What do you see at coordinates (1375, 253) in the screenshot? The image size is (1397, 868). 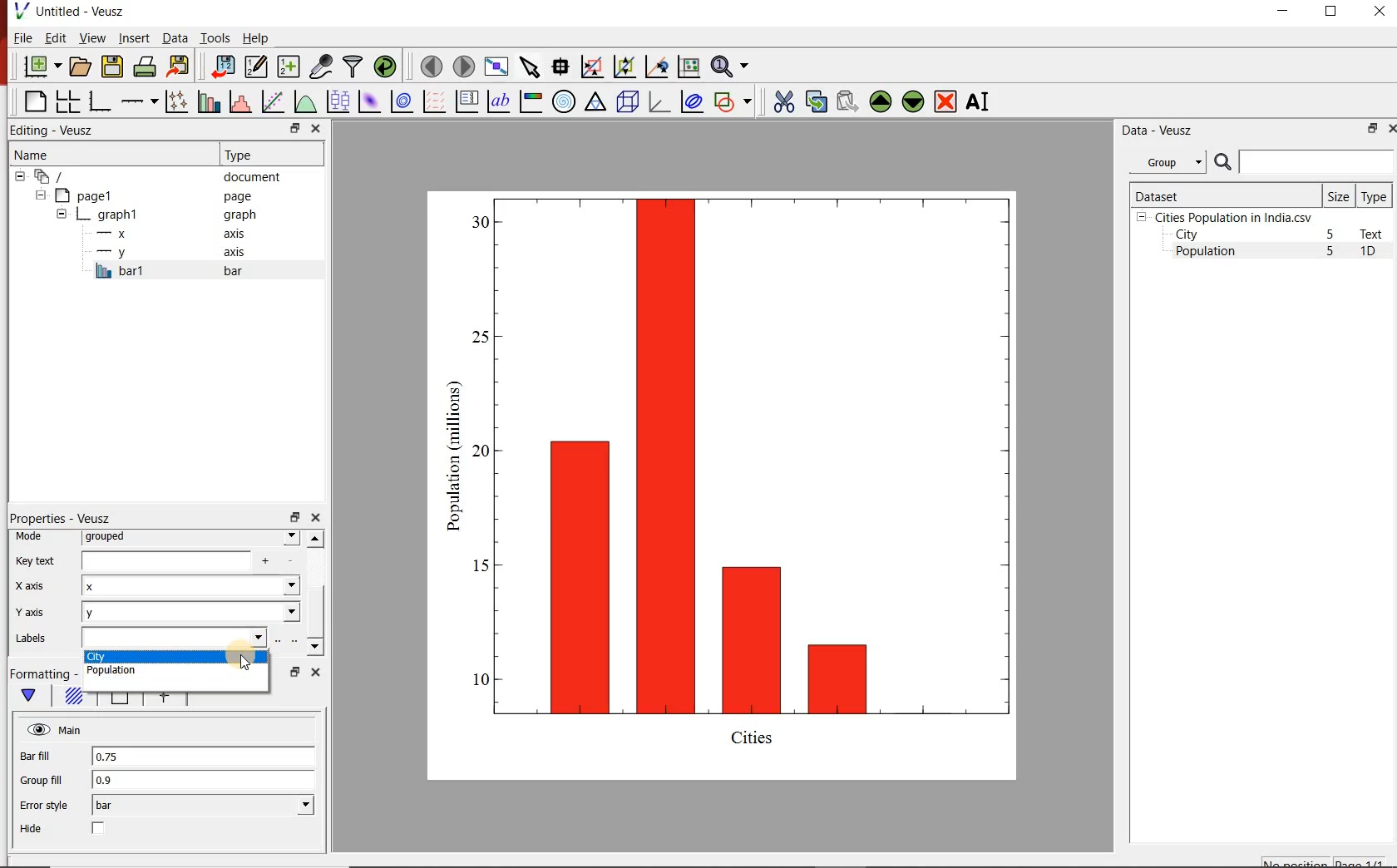 I see `1D` at bounding box center [1375, 253].